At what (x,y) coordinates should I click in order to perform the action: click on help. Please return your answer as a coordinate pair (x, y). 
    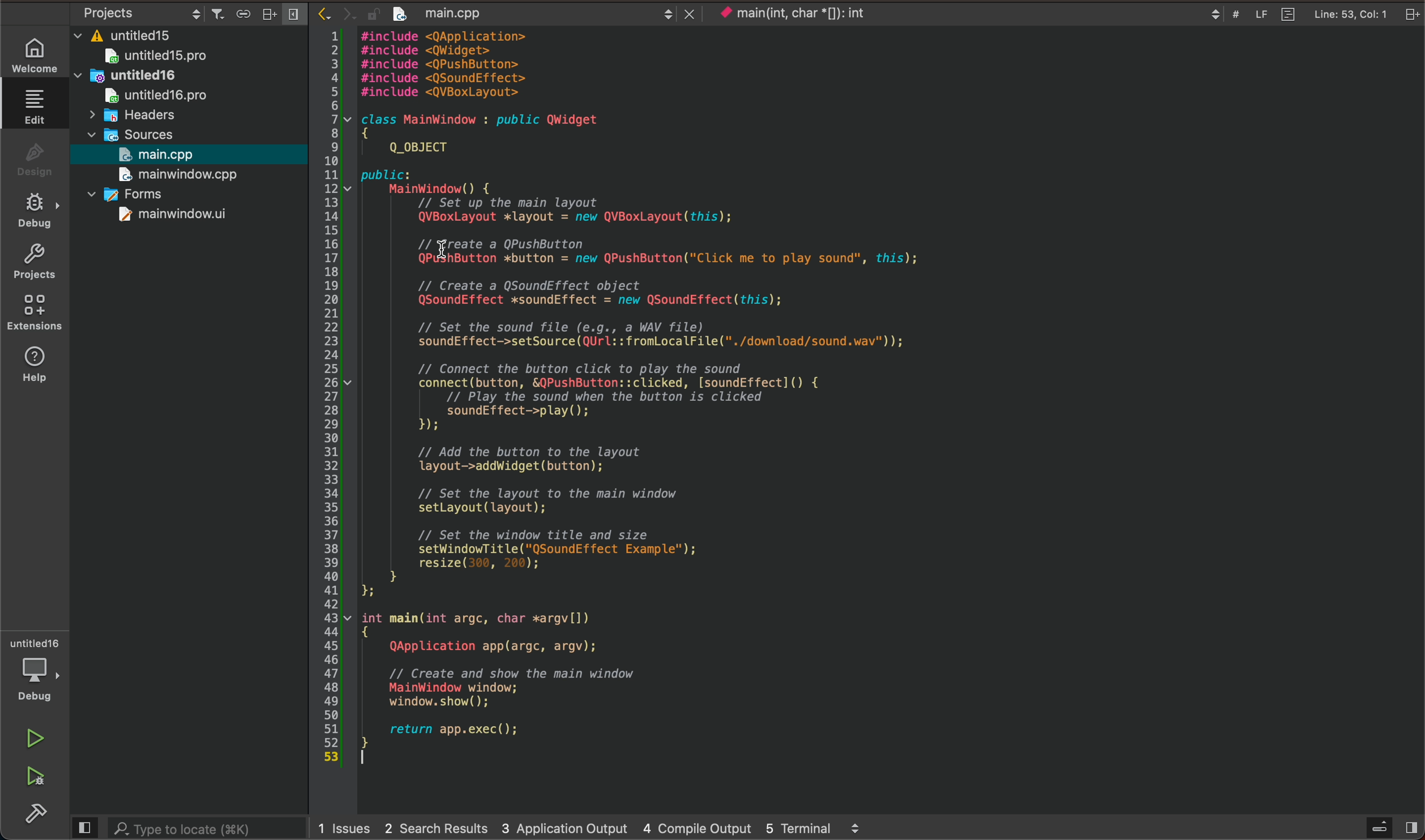
    Looking at the image, I should click on (38, 364).